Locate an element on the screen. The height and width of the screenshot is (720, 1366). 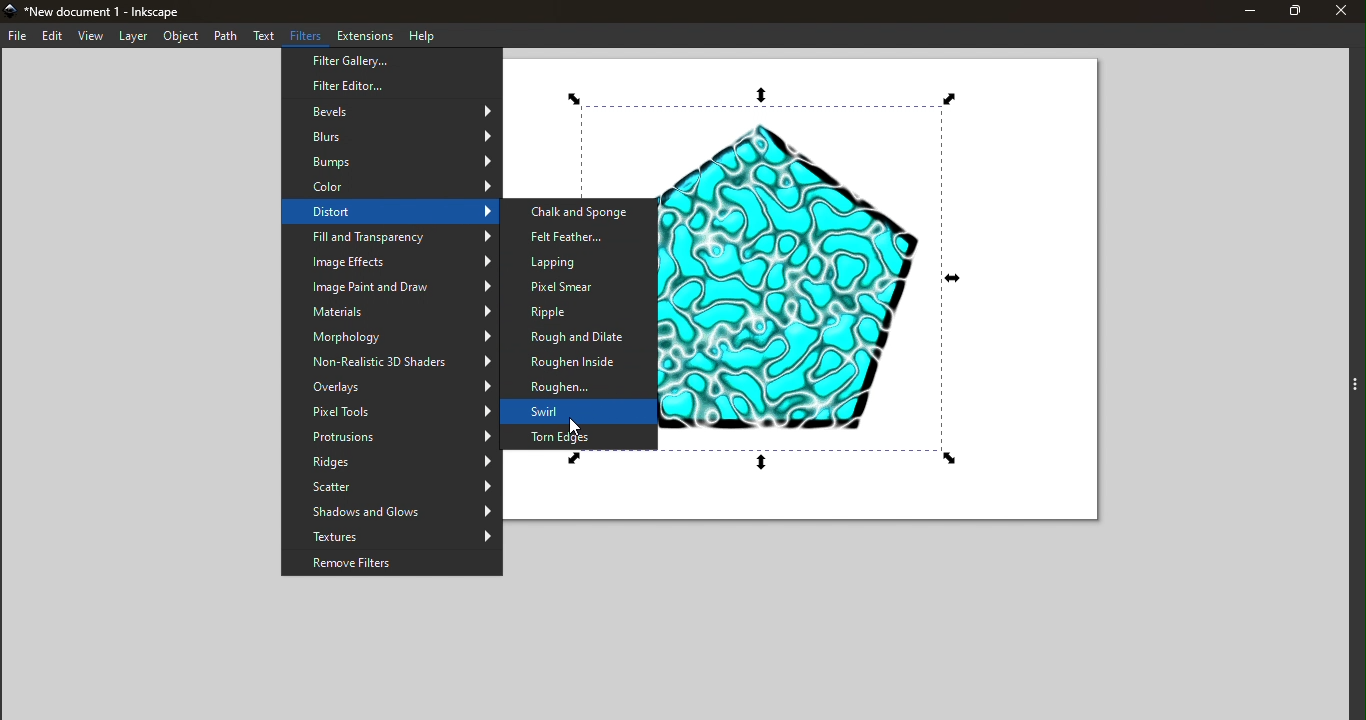
Pixel Smear is located at coordinates (580, 288).